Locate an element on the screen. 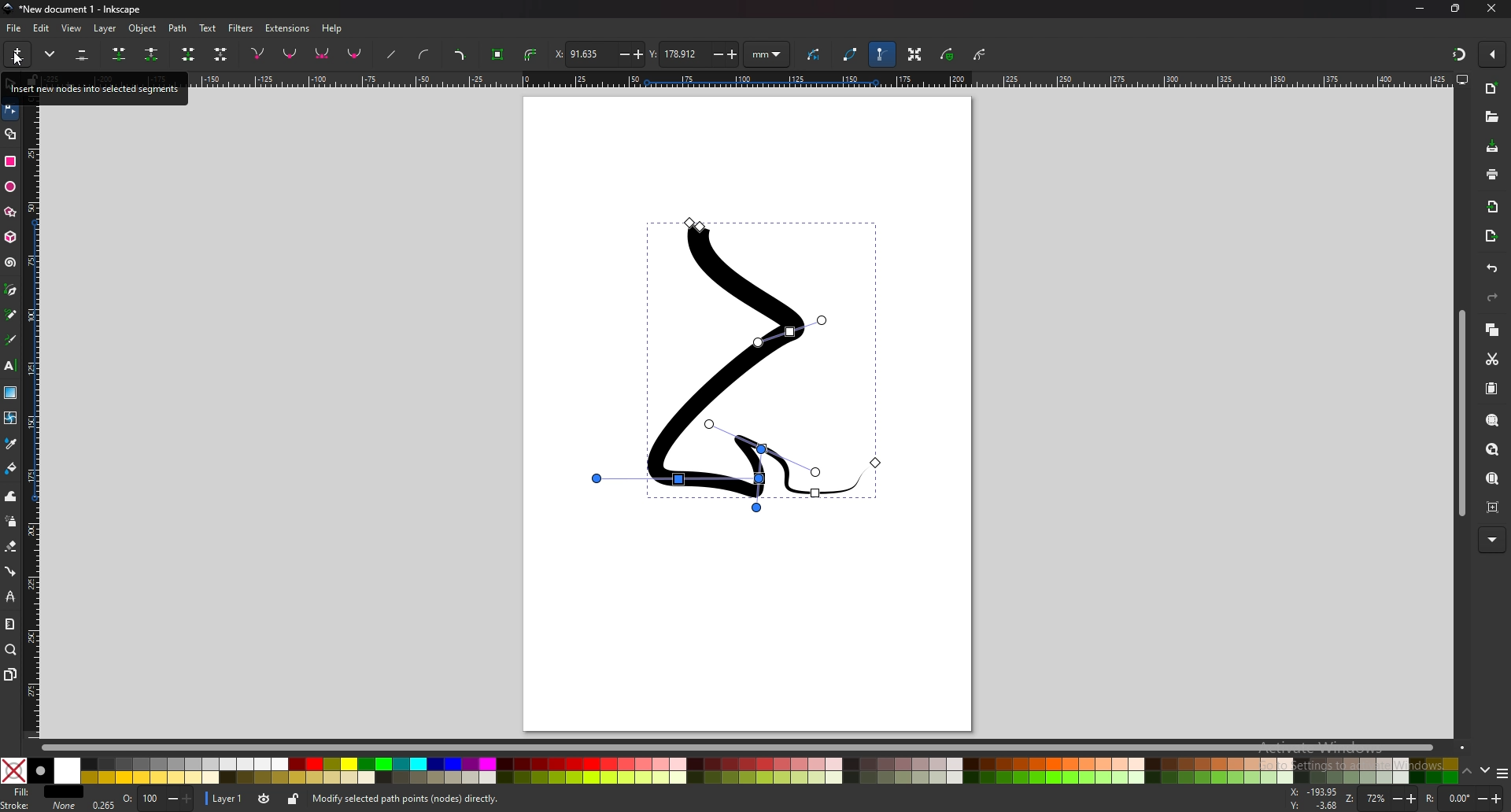  zoom page is located at coordinates (1493, 478).